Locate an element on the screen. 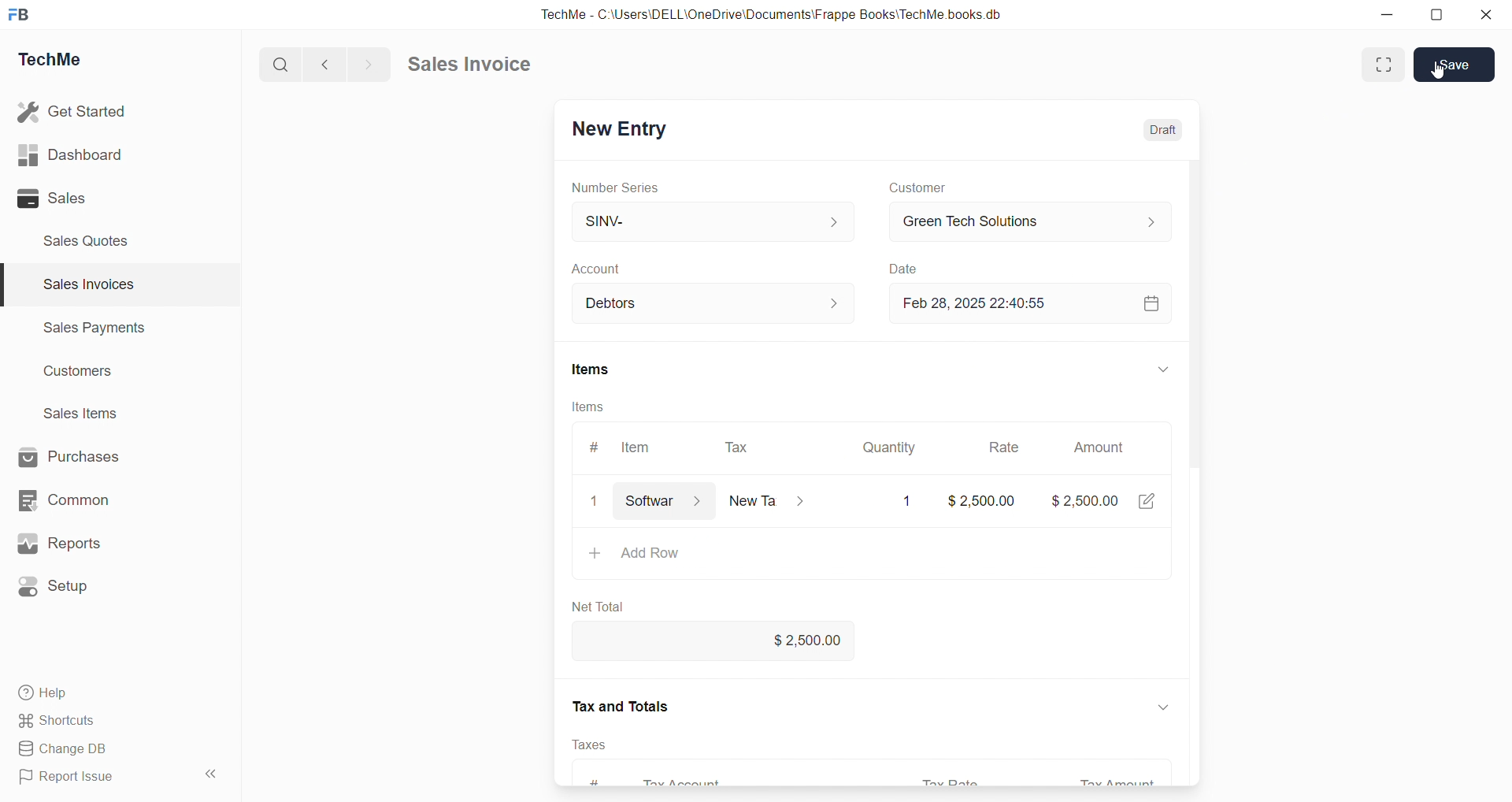  Date is located at coordinates (902, 268).